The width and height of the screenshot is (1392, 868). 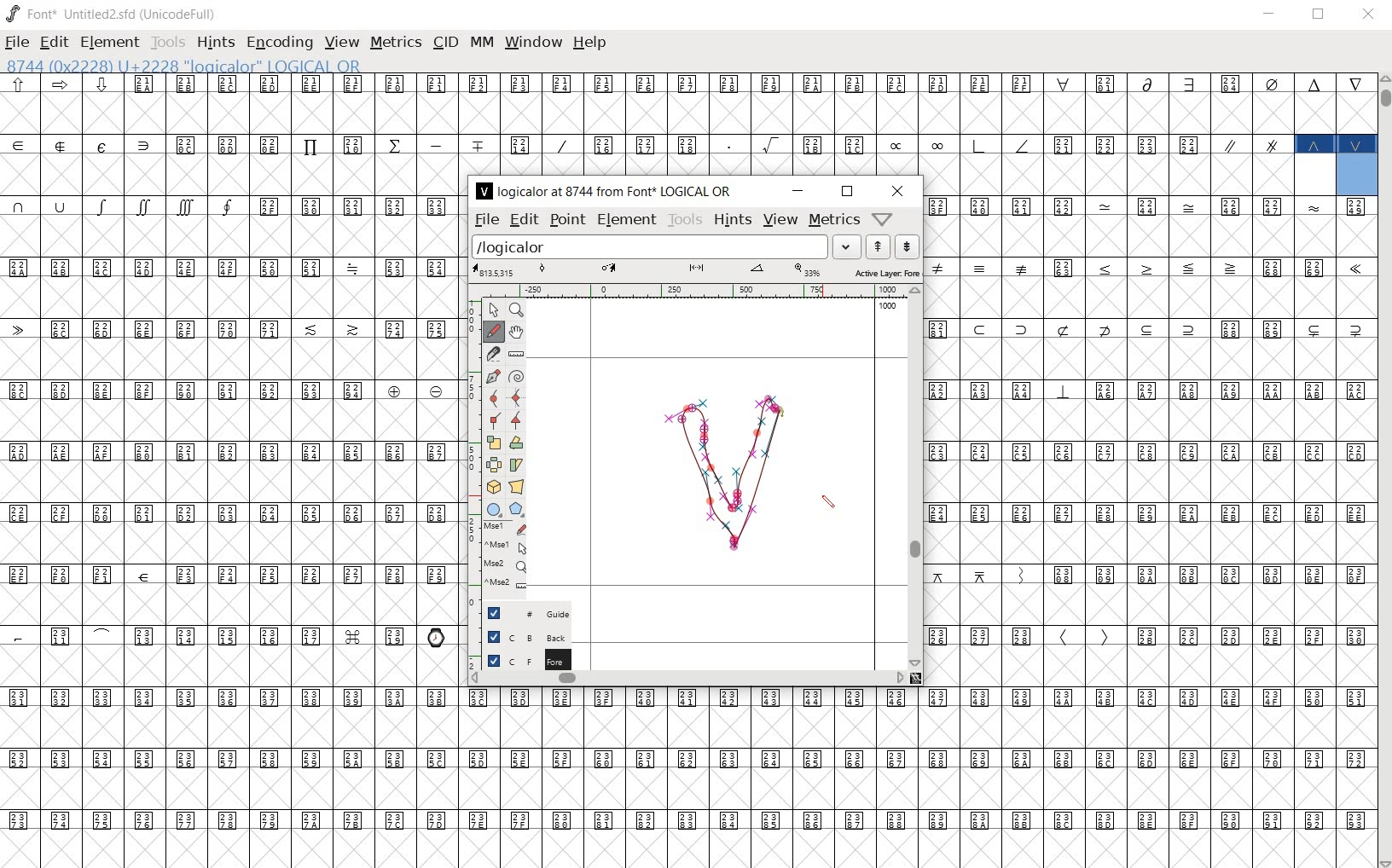 What do you see at coordinates (1383, 471) in the screenshot?
I see `scrollbar` at bounding box center [1383, 471].